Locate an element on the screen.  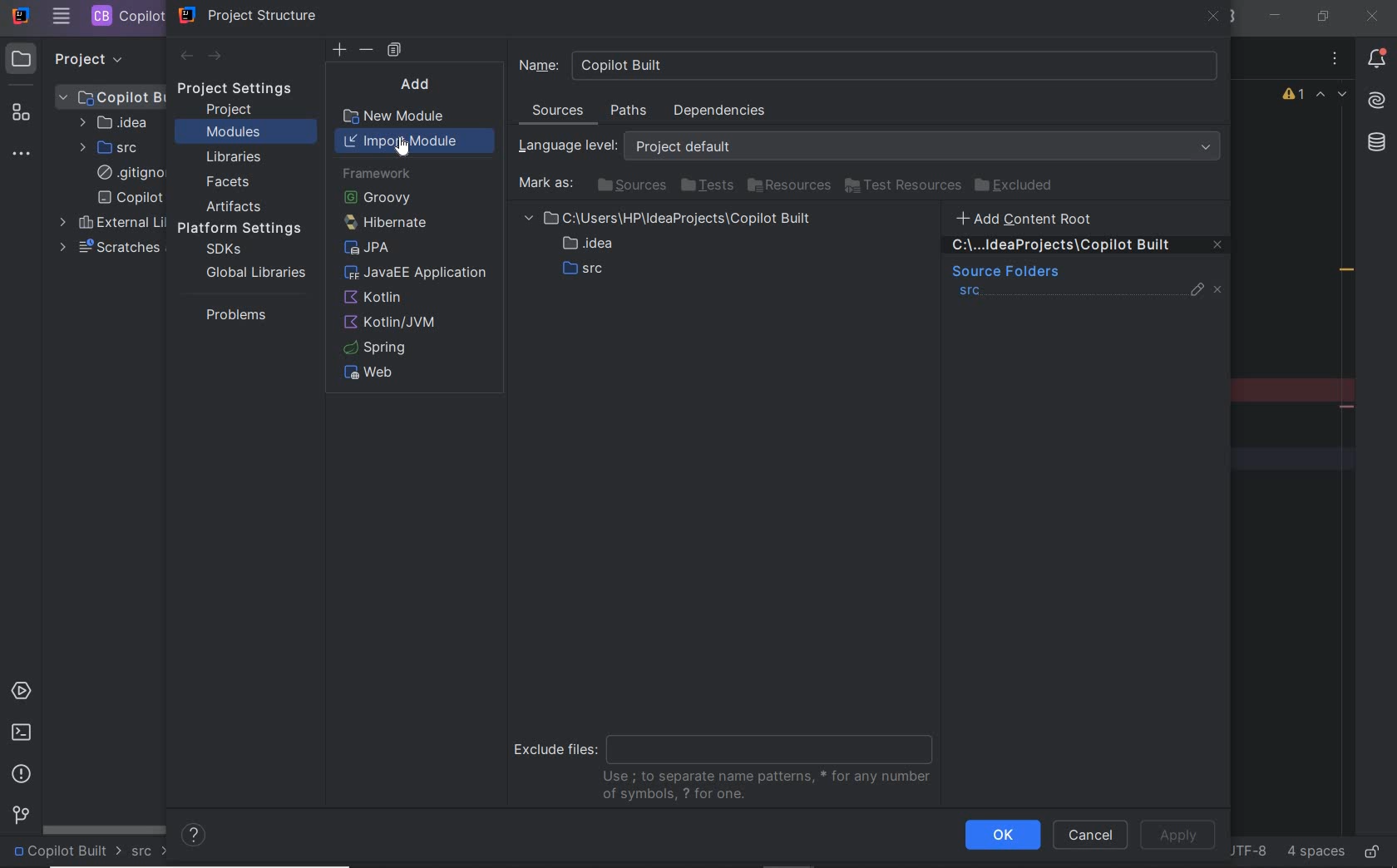
cursor is located at coordinates (402, 145).